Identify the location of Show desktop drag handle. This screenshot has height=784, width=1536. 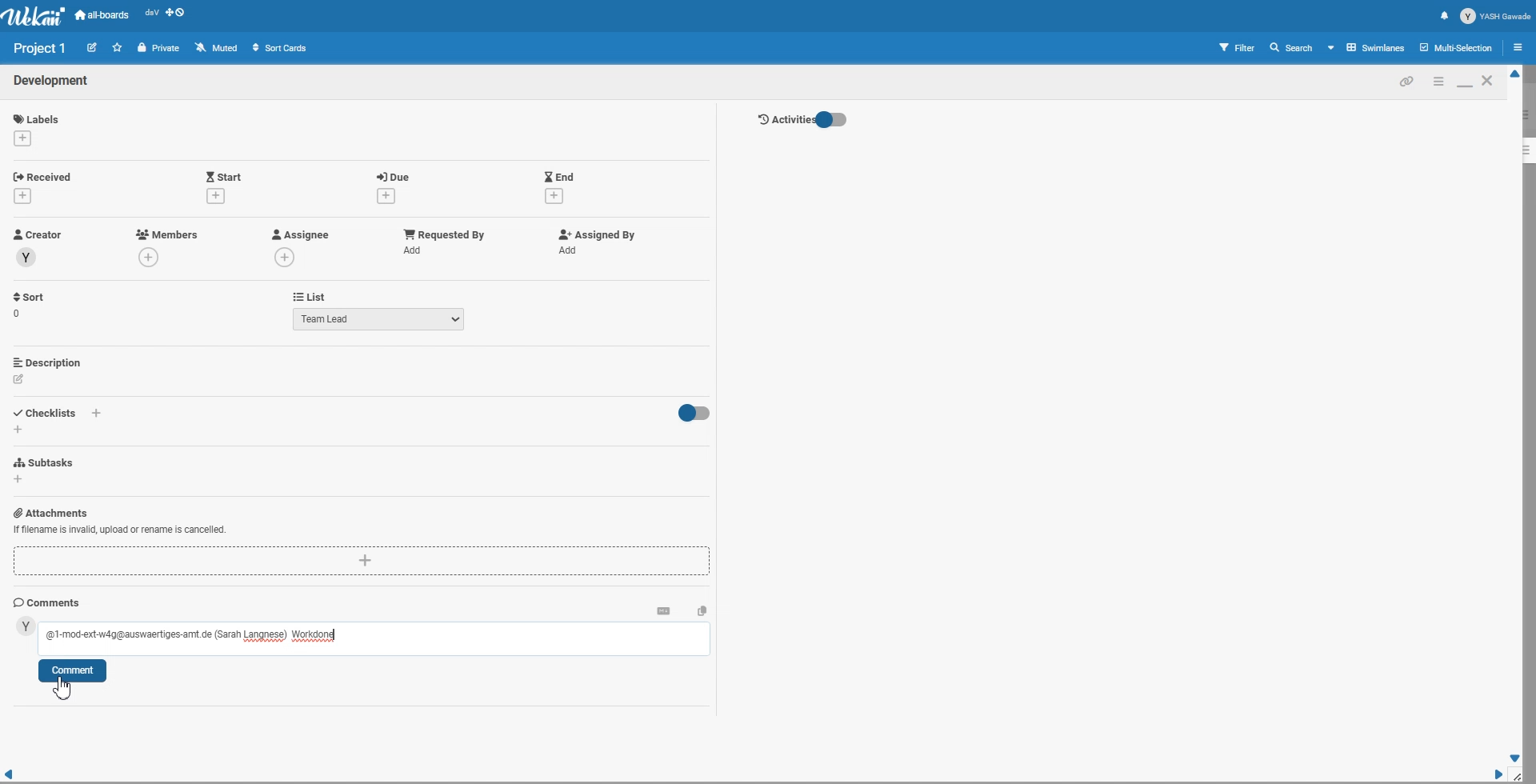
(177, 15).